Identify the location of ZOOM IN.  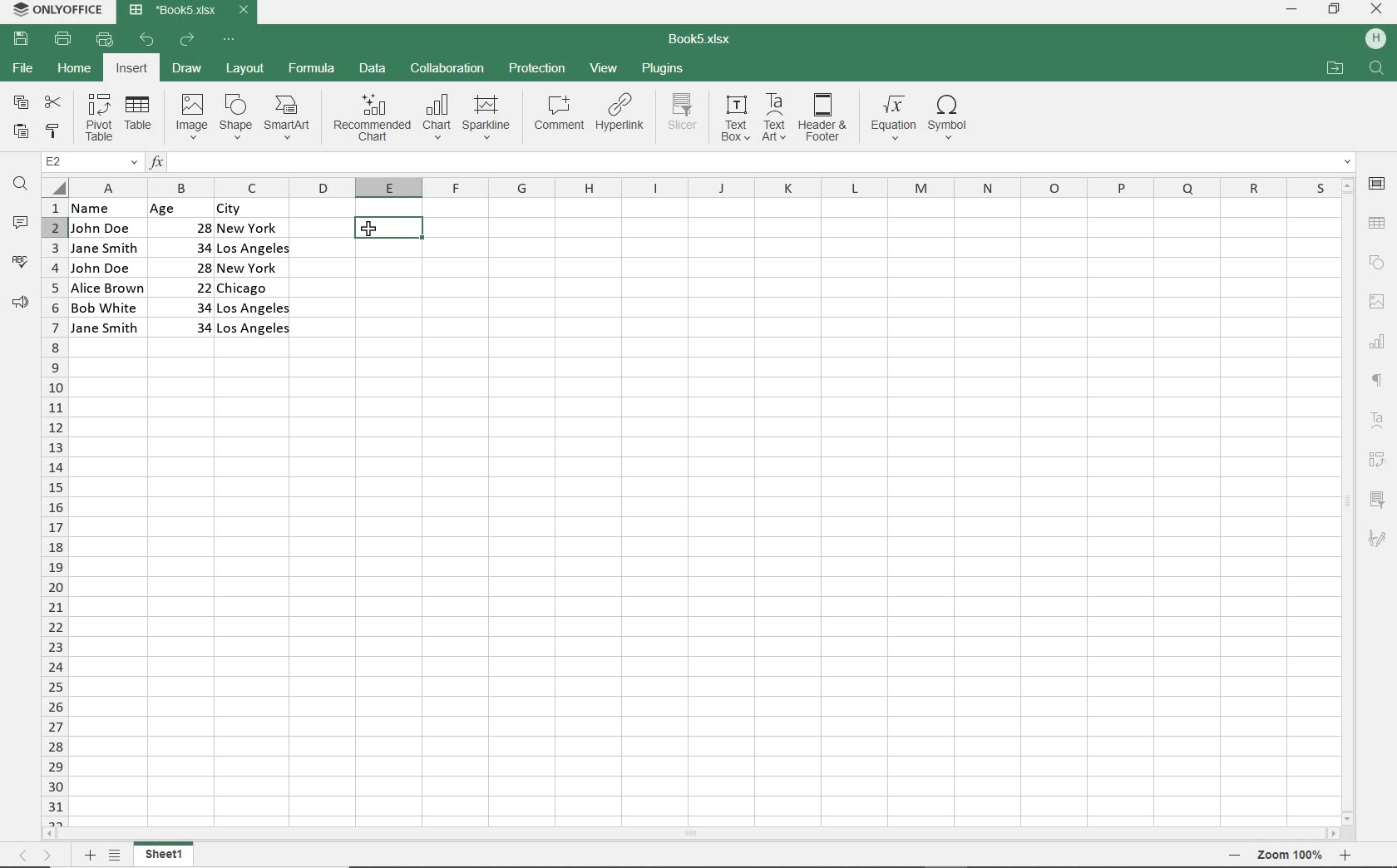
(1348, 855).